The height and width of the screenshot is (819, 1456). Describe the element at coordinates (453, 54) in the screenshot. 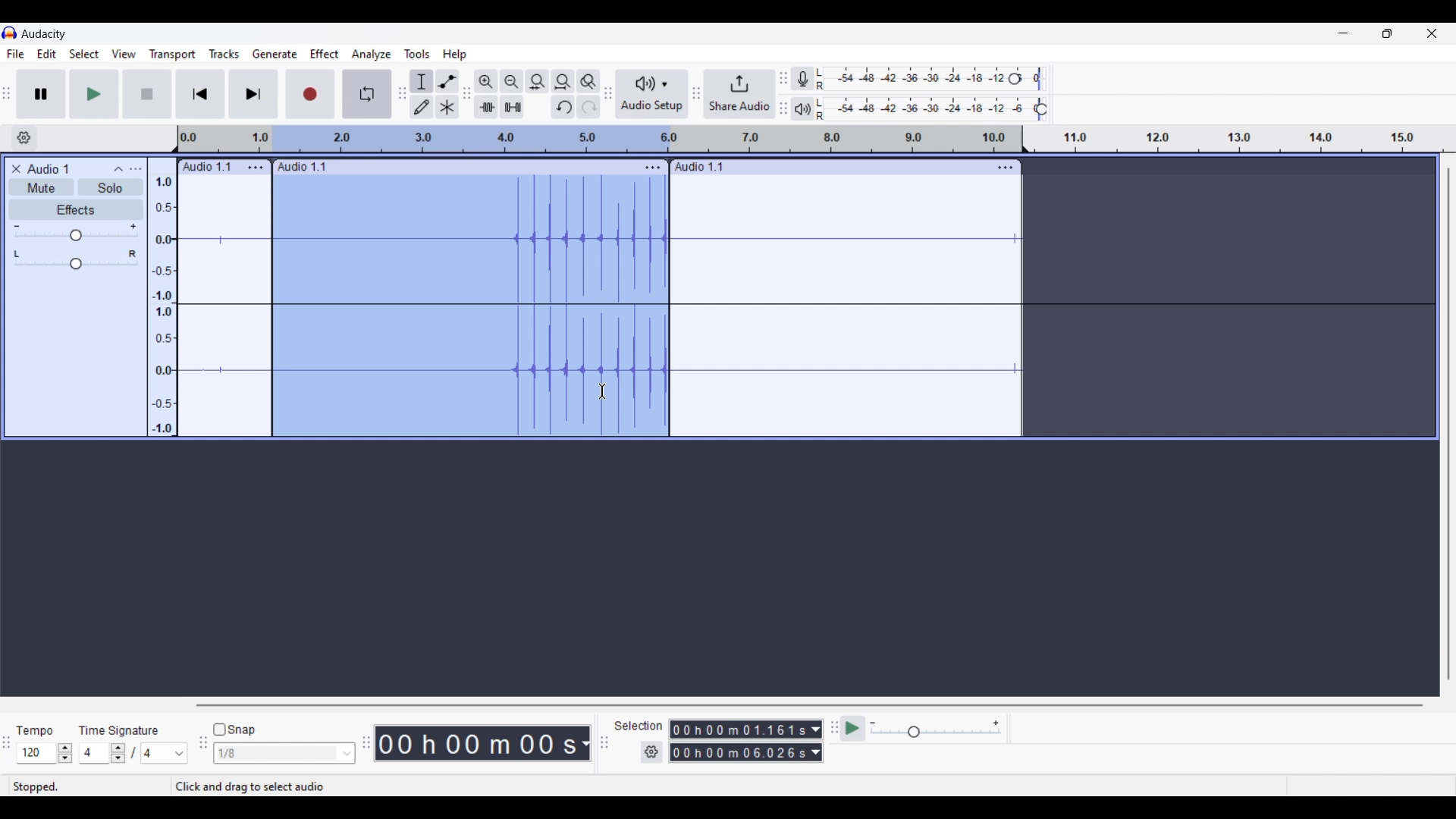

I see `Help menu` at that location.